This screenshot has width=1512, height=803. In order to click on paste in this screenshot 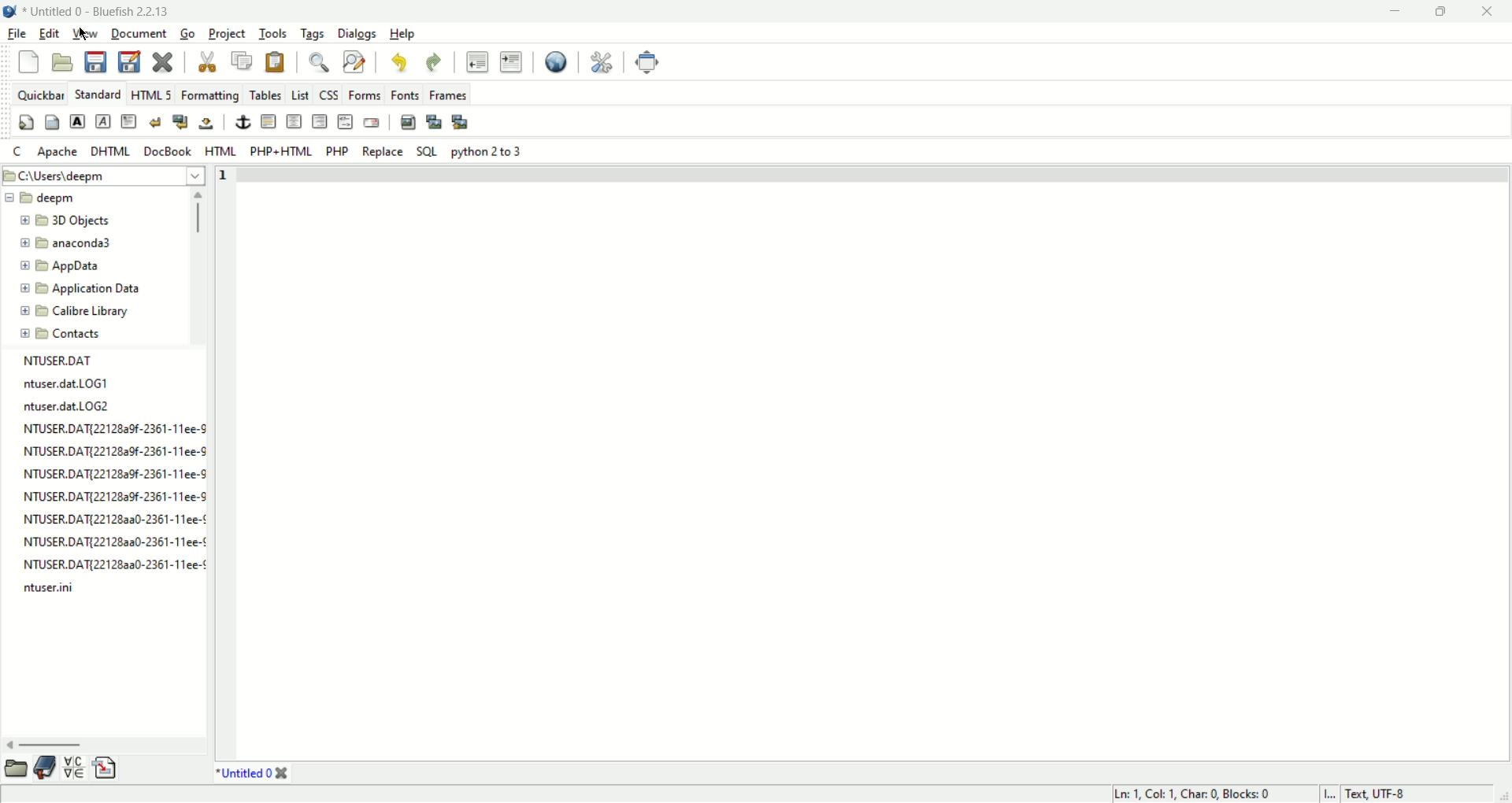, I will do `click(276, 61)`.